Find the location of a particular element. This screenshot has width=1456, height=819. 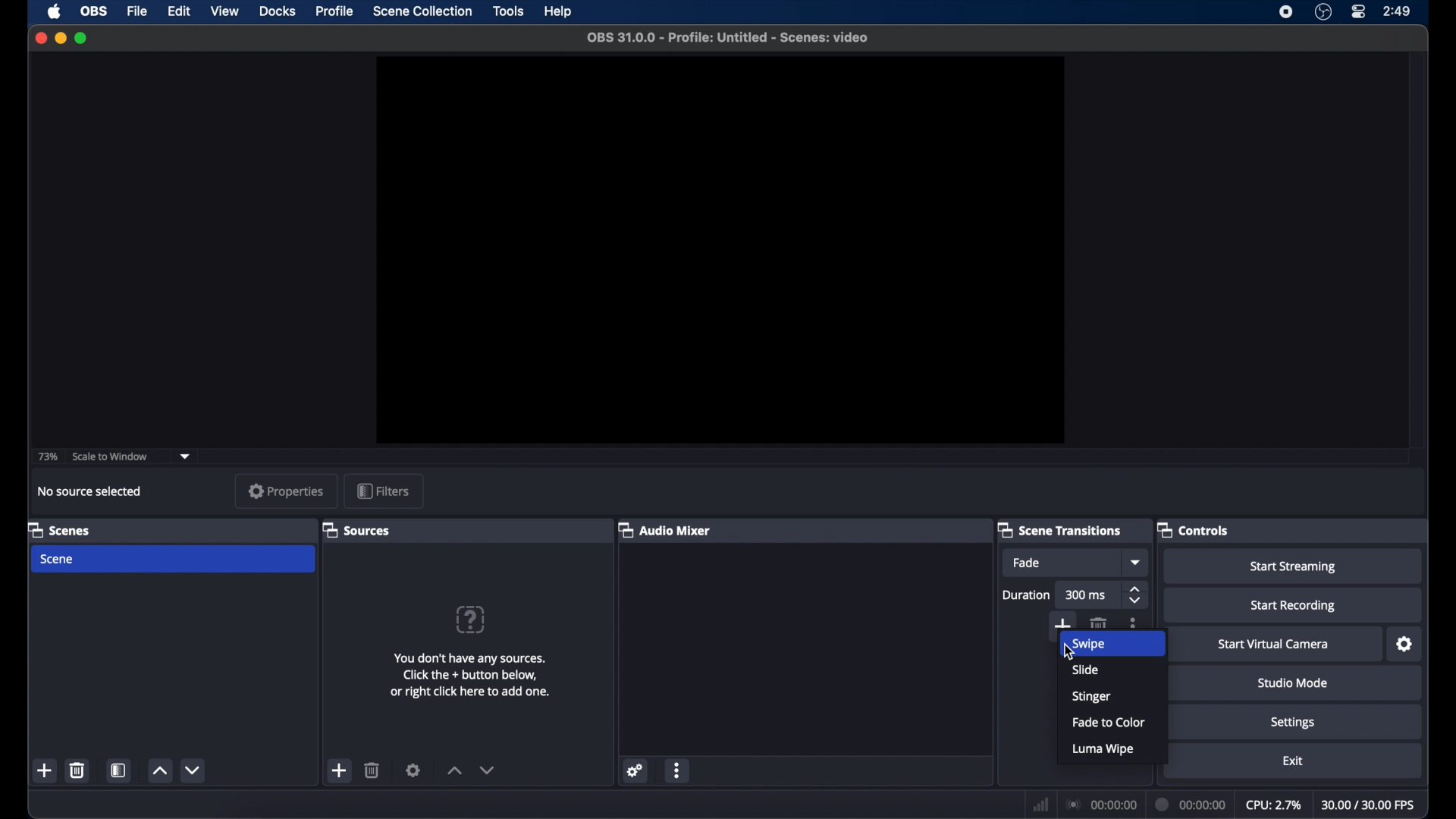

fade to color is located at coordinates (1109, 722).